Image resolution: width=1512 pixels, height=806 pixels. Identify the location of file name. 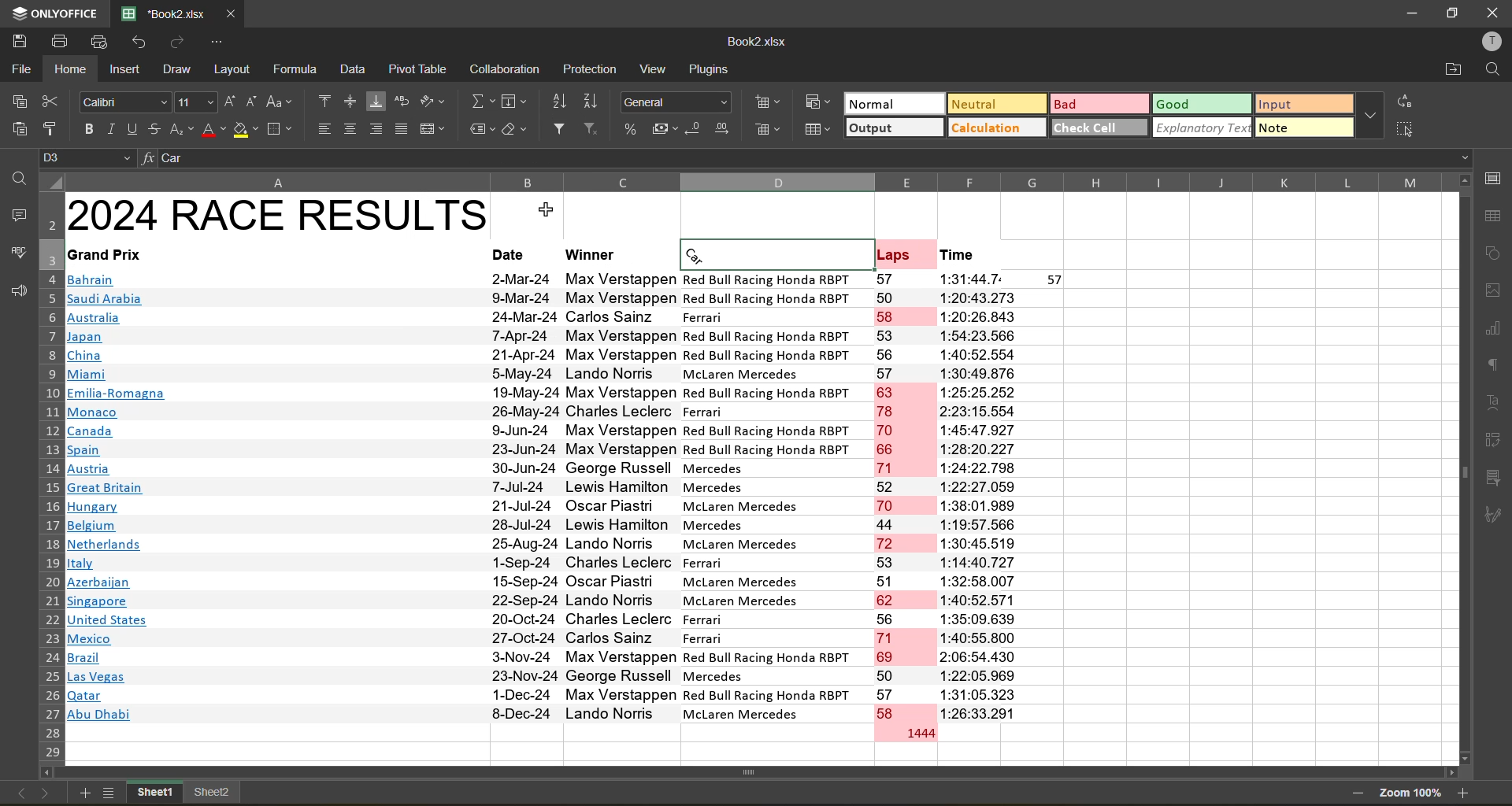
(757, 41).